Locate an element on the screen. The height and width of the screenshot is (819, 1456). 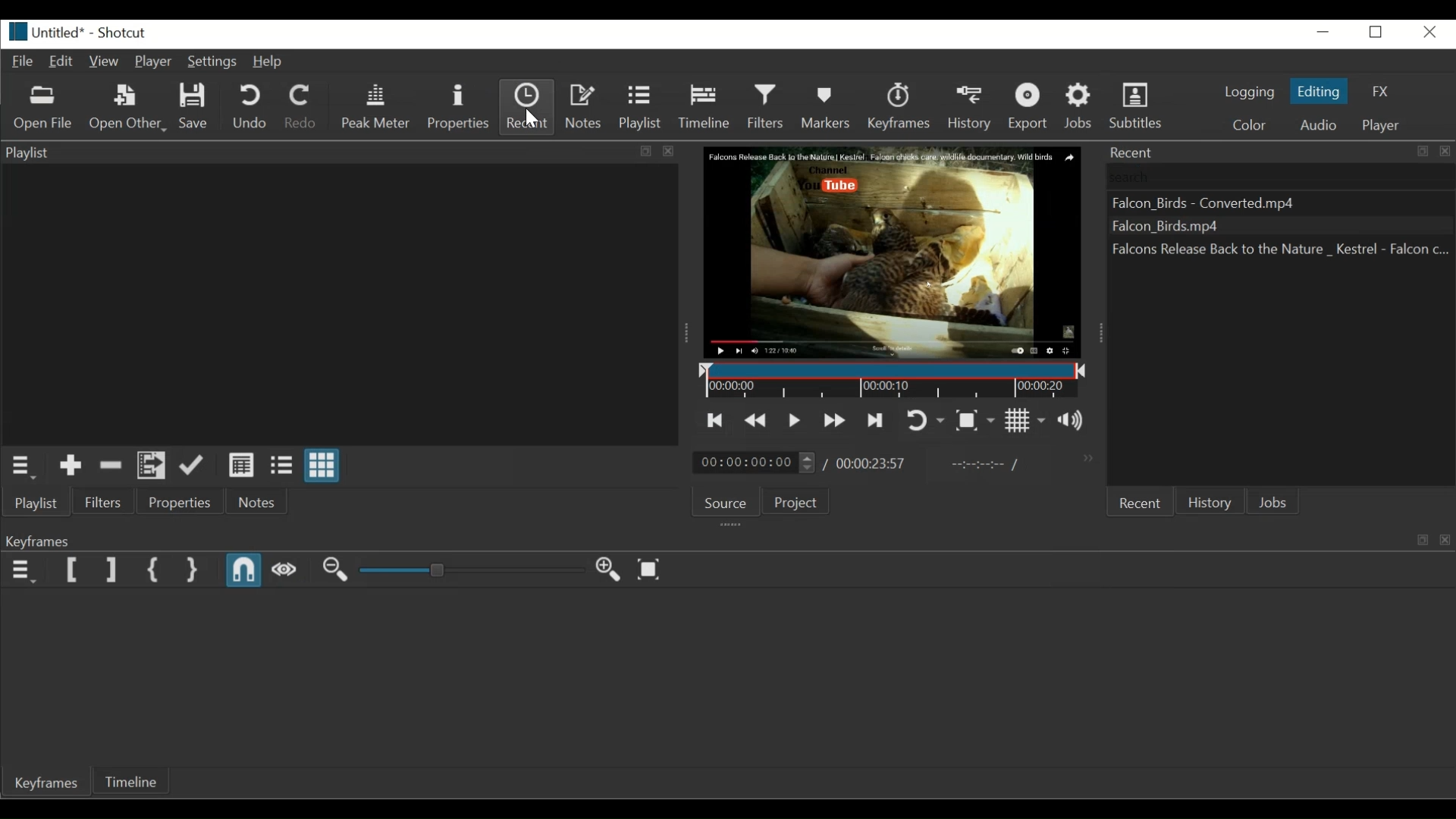
Keyframes Panel is located at coordinates (725, 541).